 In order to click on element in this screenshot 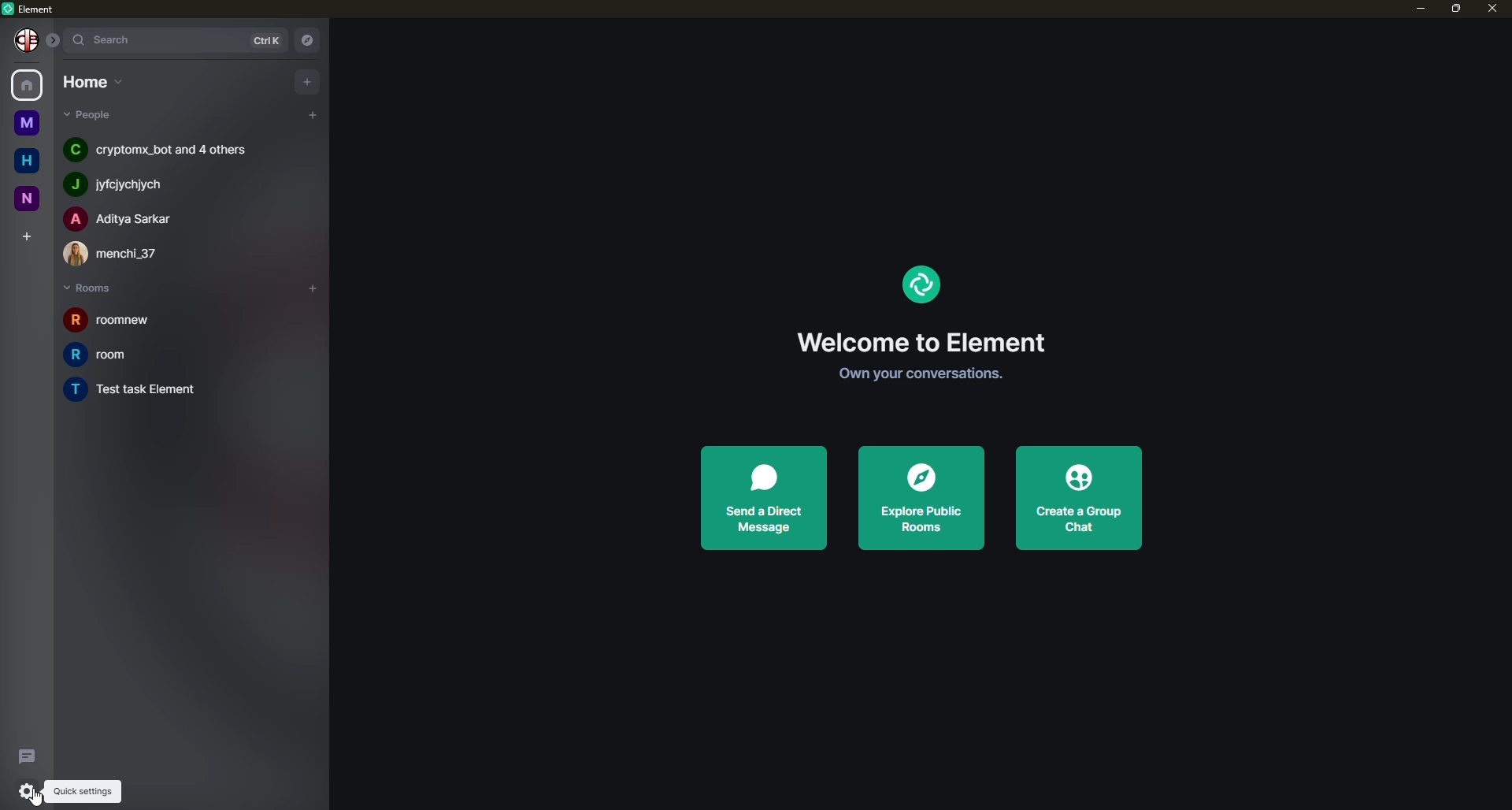, I will do `click(919, 284)`.